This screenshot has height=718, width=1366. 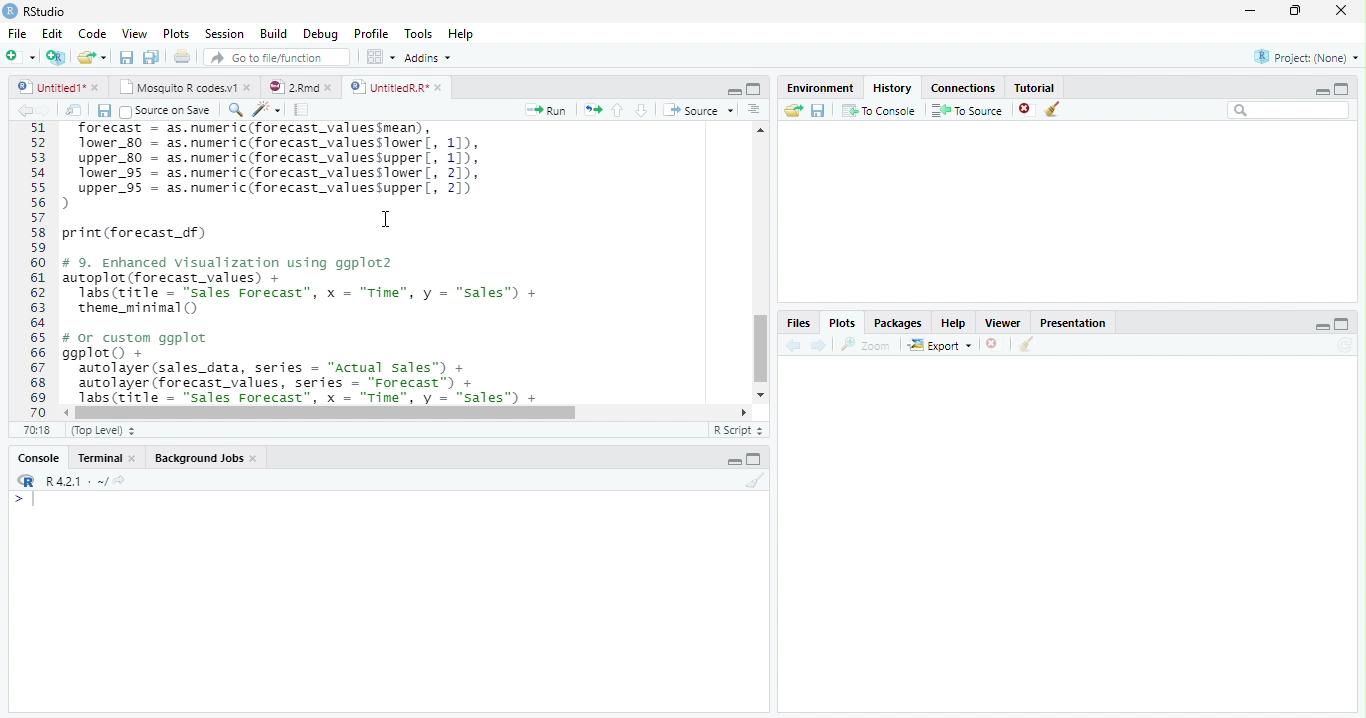 I want to click on Files, so click(x=801, y=323).